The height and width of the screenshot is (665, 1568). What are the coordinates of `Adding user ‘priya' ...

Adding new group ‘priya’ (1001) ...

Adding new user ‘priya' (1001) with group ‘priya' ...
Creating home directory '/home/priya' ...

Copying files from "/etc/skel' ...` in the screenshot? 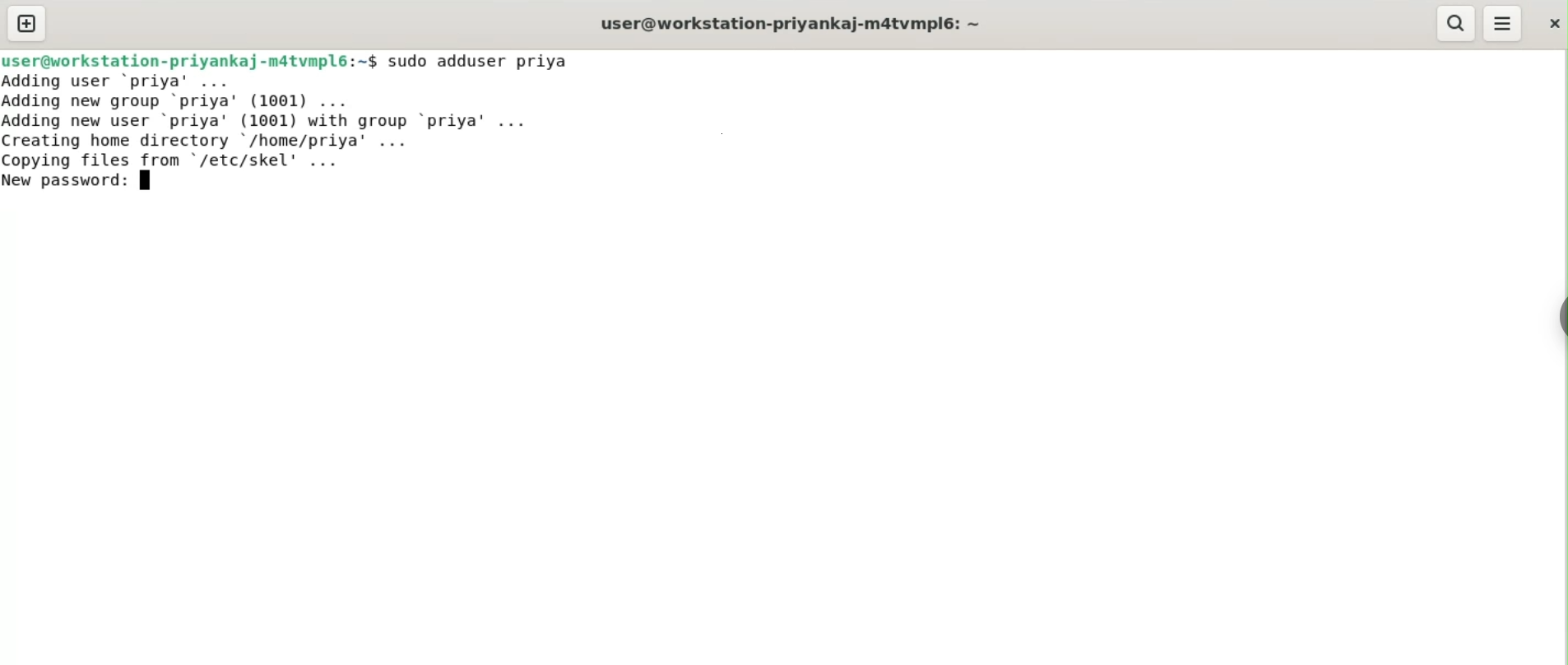 It's located at (274, 121).